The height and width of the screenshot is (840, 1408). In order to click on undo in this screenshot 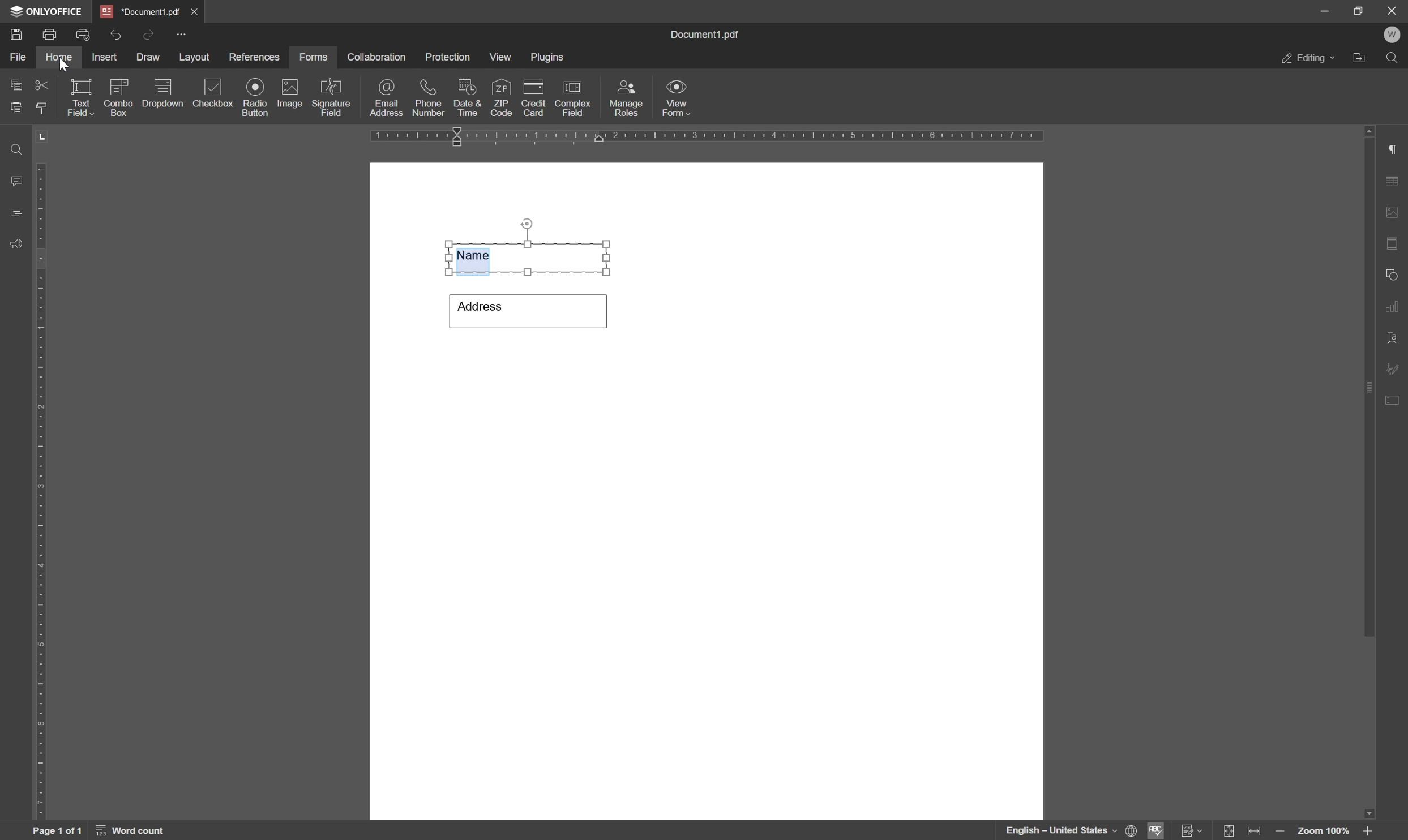, I will do `click(115, 32)`.